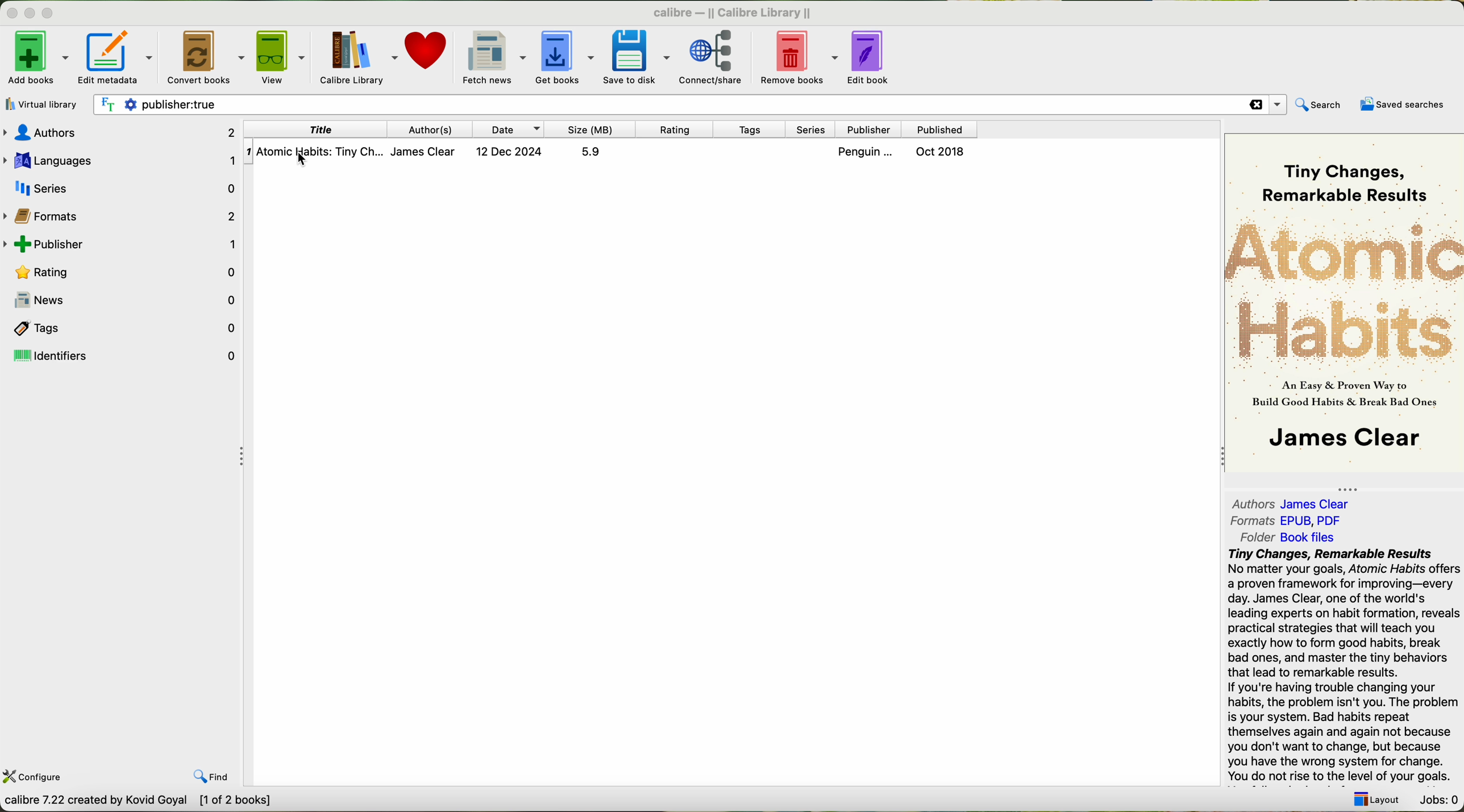 The height and width of the screenshot is (812, 1464). What do you see at coordinates (126, 355) in the screenshot?
I see `identifiers` at bounding box center [126, 355].